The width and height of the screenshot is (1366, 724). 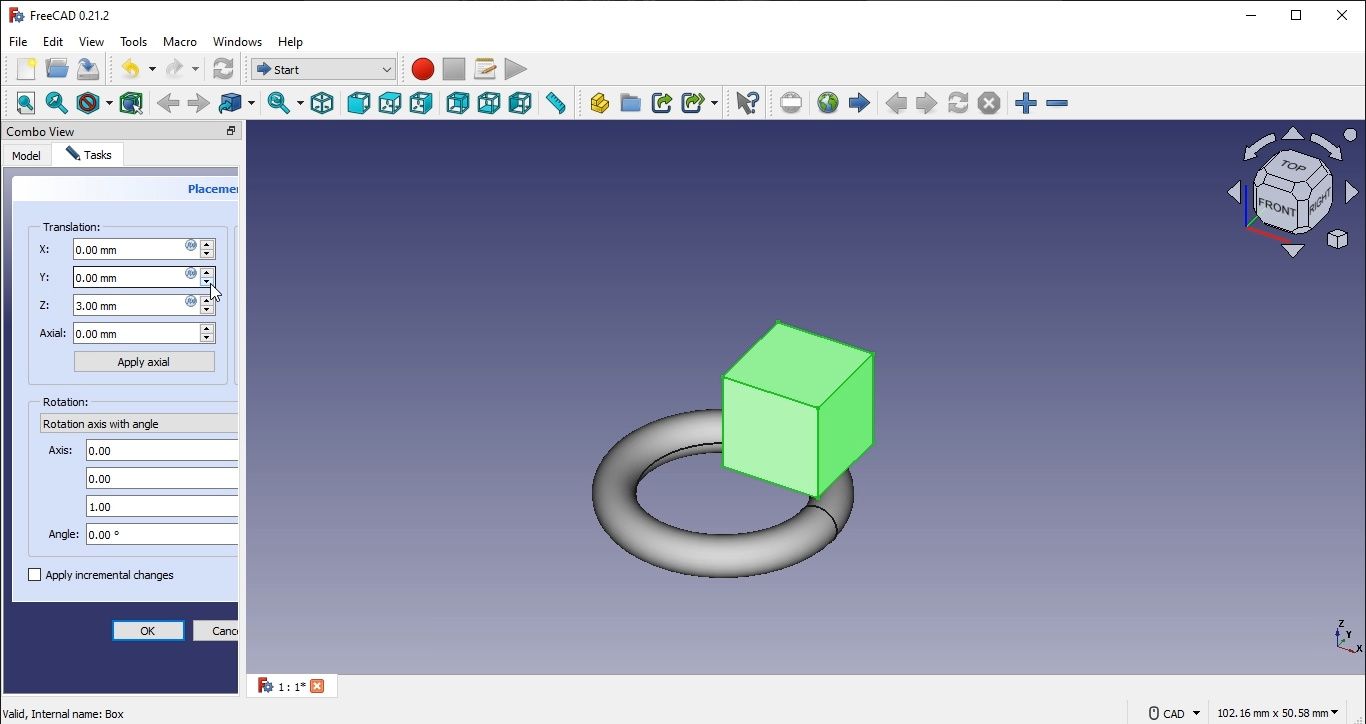 I want to click on ok, so click(x=148, y=630).